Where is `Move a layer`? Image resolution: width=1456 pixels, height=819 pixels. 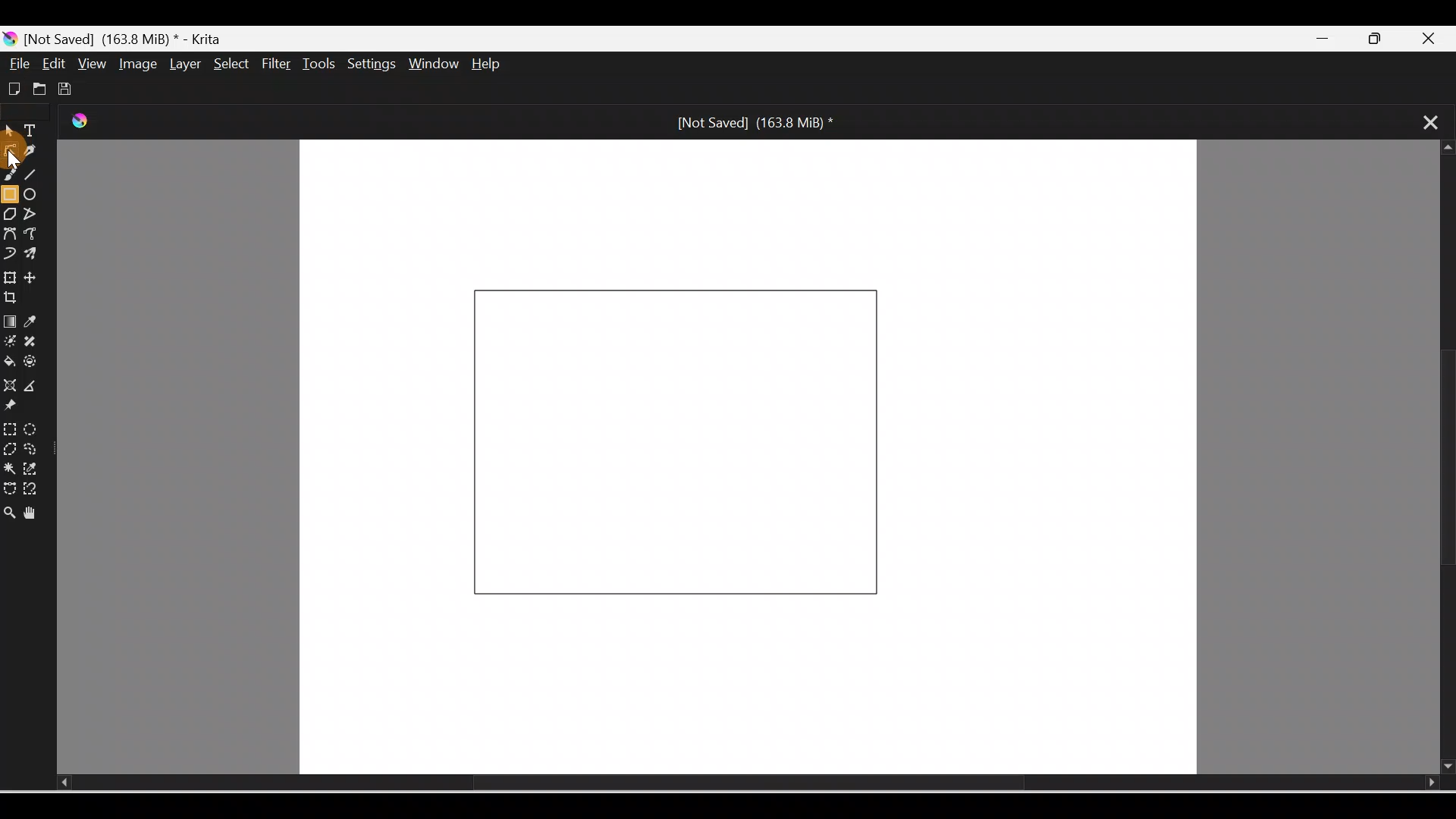 Move a layer is located at coordinates (37, 278).